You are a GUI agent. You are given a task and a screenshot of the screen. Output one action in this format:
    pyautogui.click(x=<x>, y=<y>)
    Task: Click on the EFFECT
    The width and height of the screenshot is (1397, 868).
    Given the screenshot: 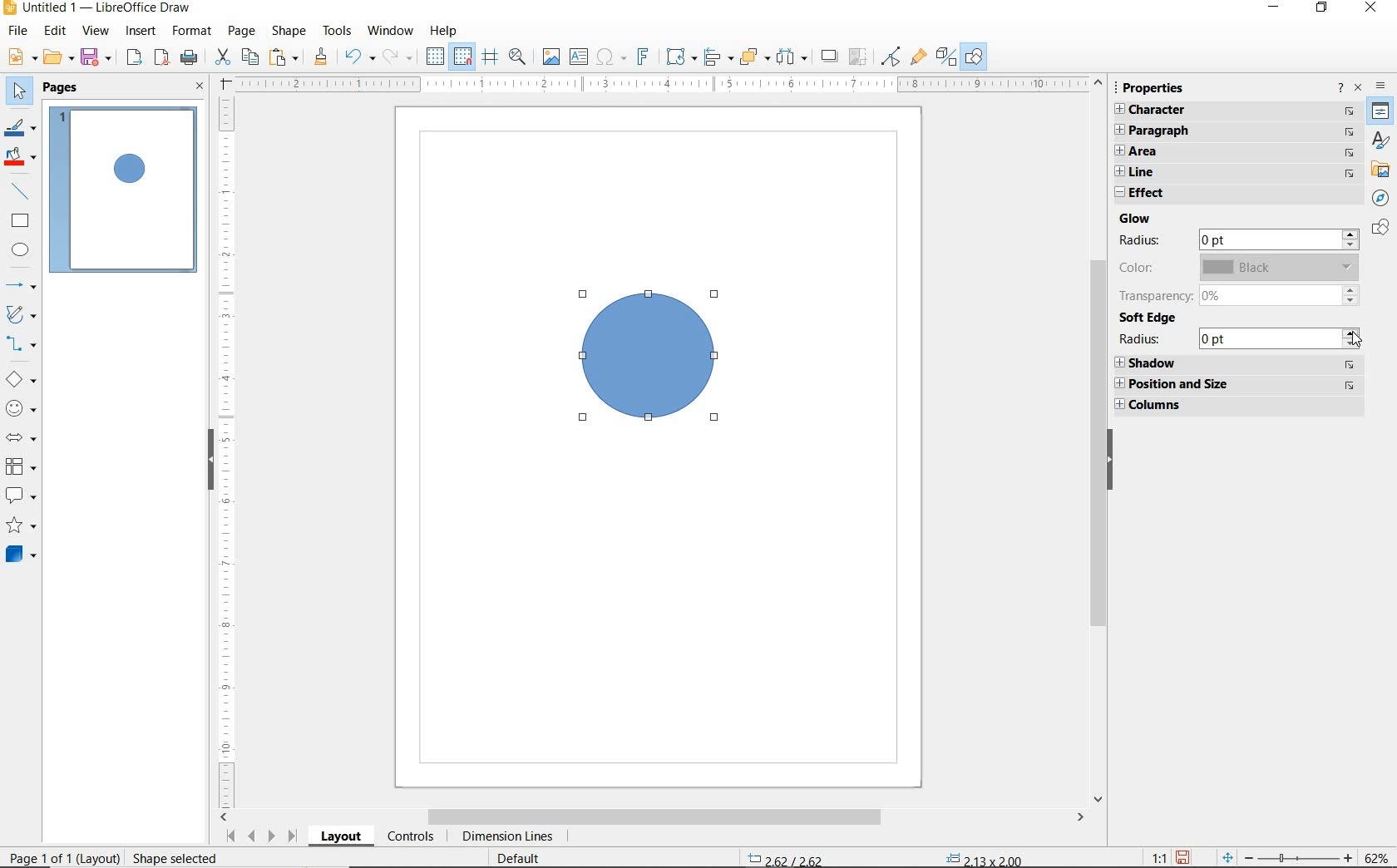 What is the action you would take?
    pyautogui.click(x=1233, y=194)
    